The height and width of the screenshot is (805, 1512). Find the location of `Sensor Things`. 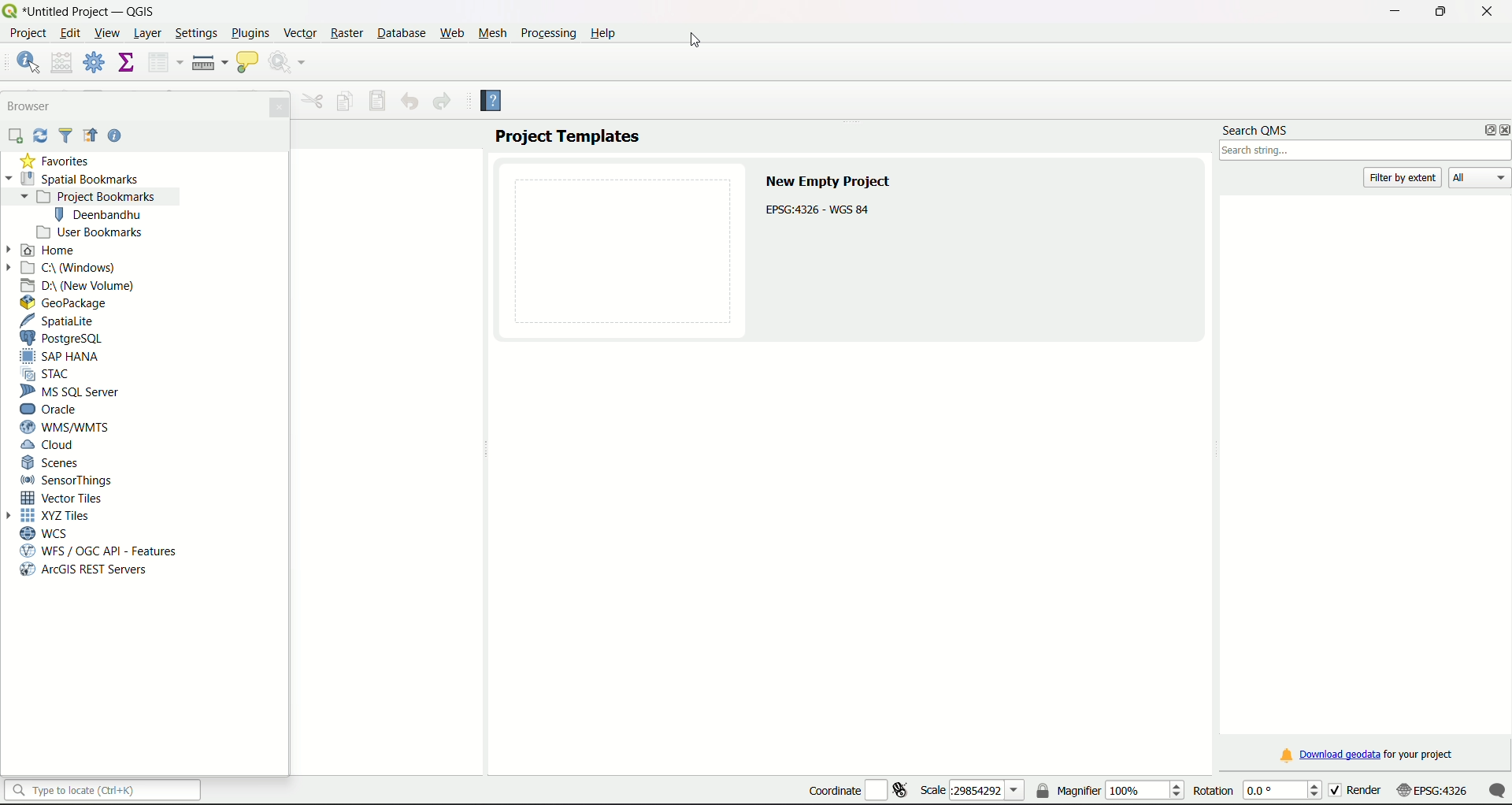

Sensor Things is located at coordinates (70, 479).